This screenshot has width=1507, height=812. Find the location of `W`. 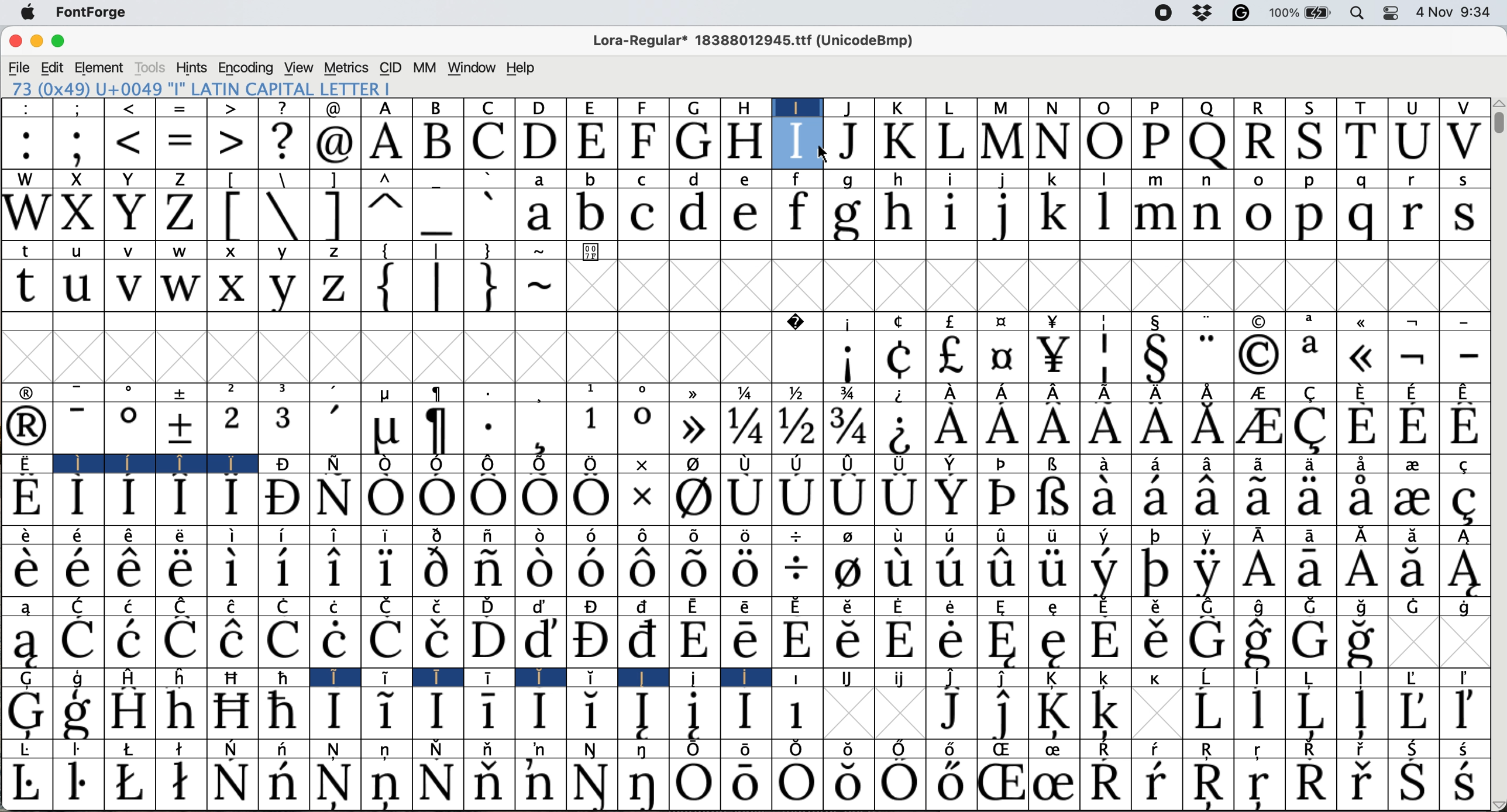

W is located at coordinates (26, 180).